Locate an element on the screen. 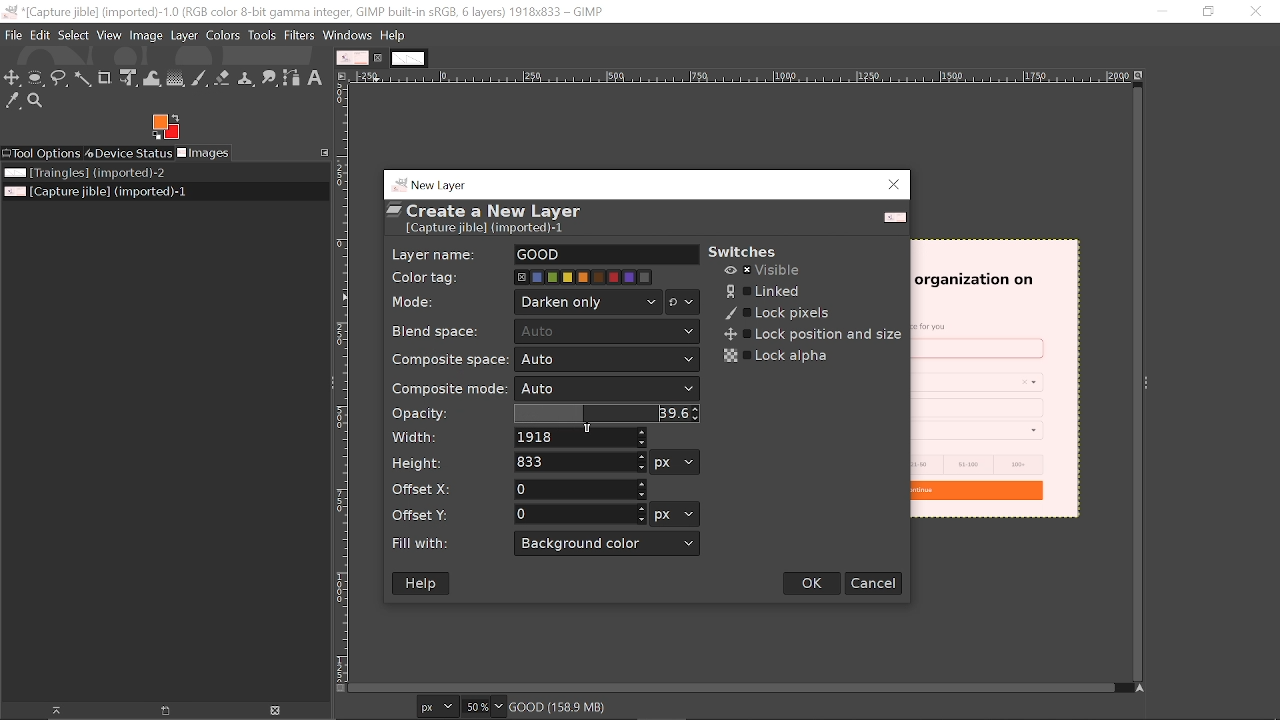  Select is located at coordinates (73, 36).